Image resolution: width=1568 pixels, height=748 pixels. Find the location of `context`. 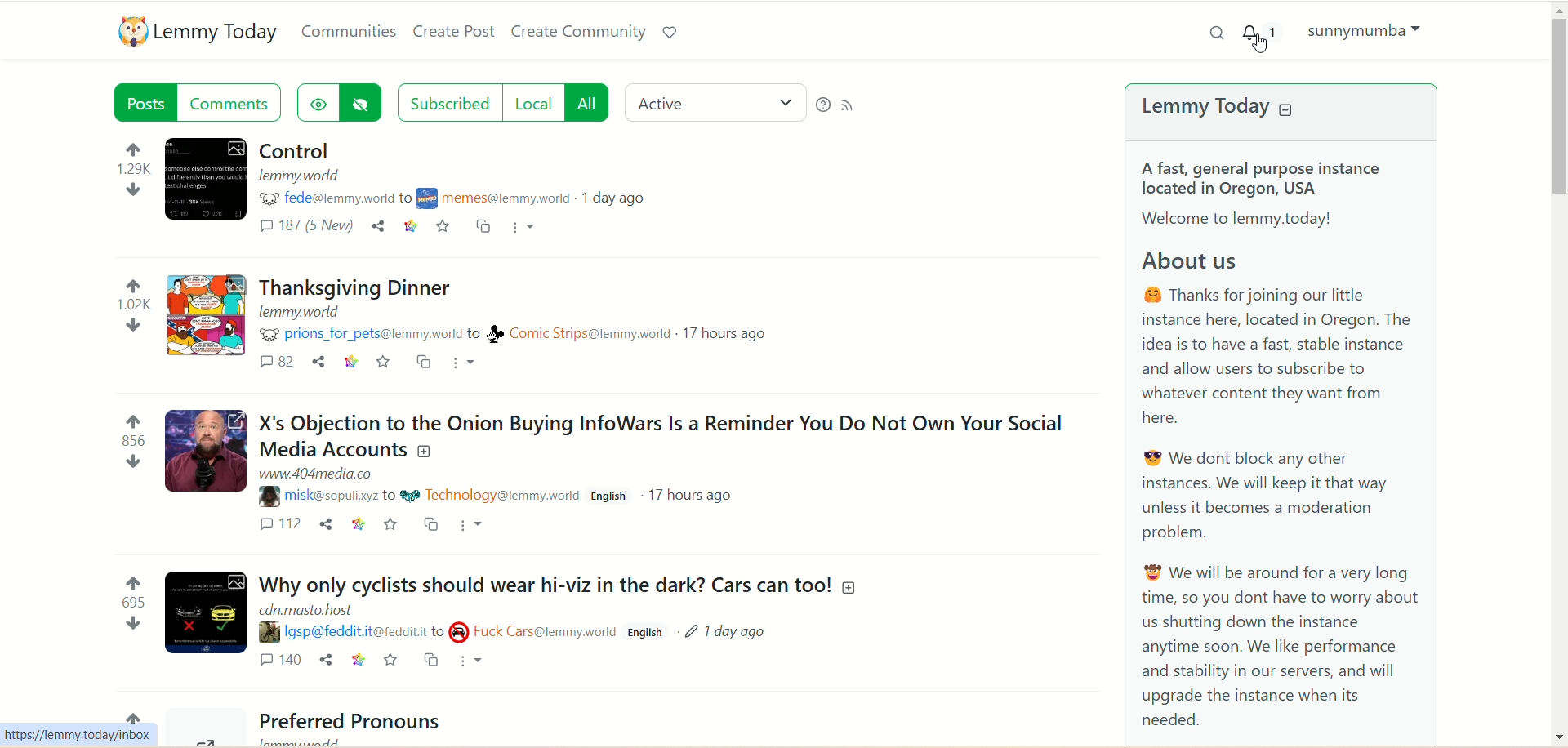

context is located at coordinates (358, 526).